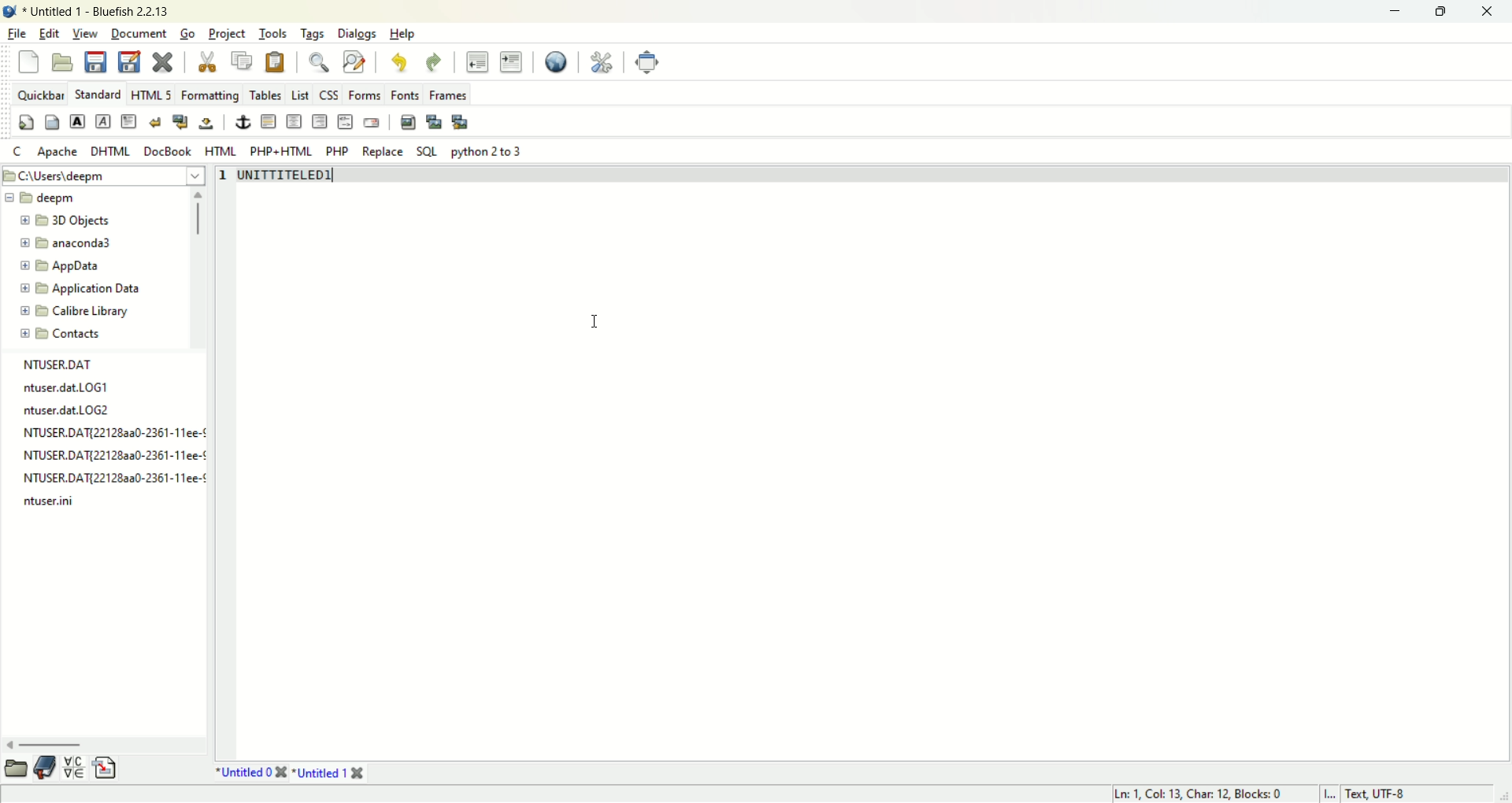  I want to click on new, so click(27, 61).